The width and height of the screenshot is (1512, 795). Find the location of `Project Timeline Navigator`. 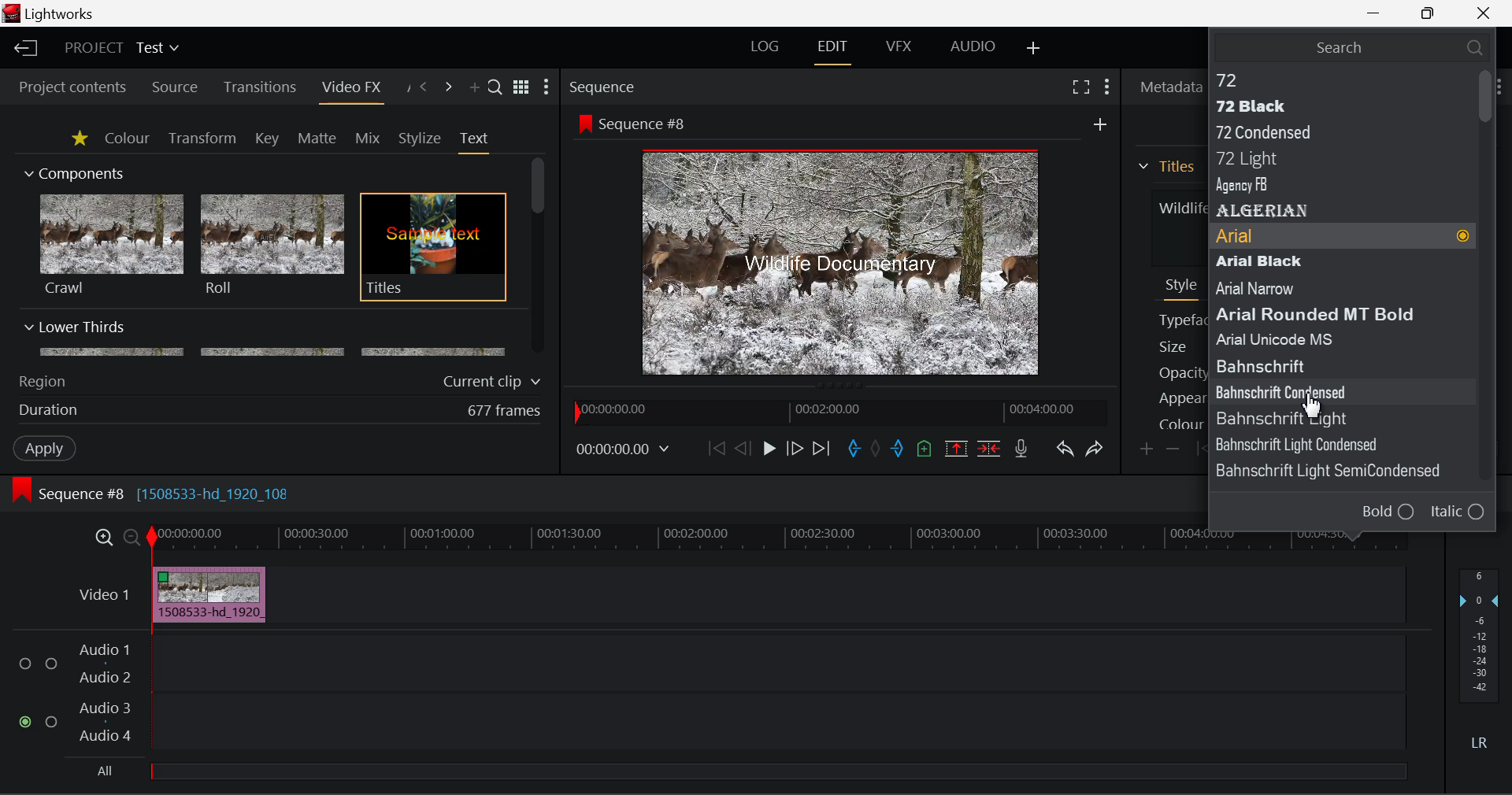

Project Timeline Navigator is located at coordinates (839, 409).